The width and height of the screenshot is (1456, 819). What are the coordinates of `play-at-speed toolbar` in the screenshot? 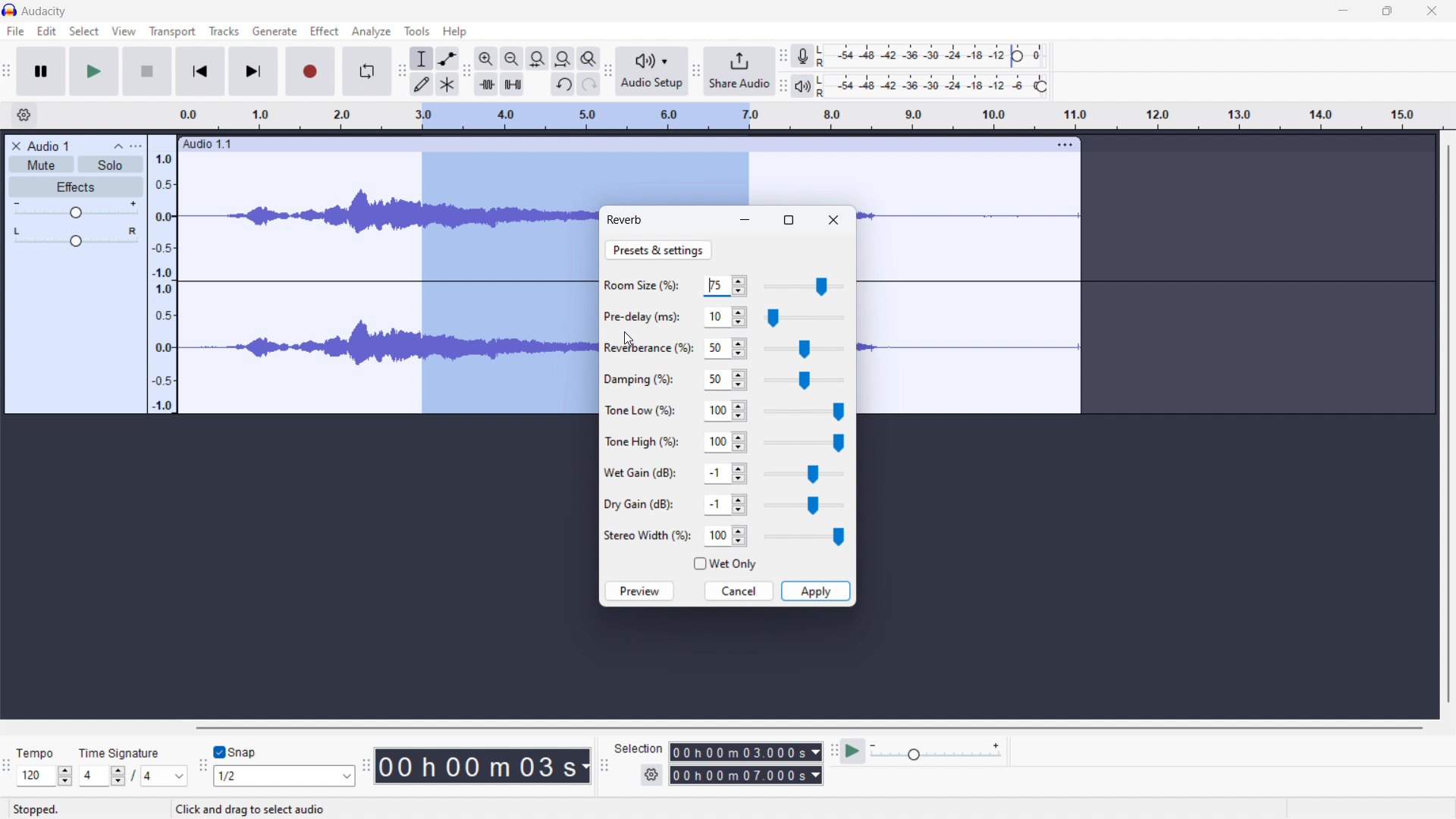 It's located at (835, 750).